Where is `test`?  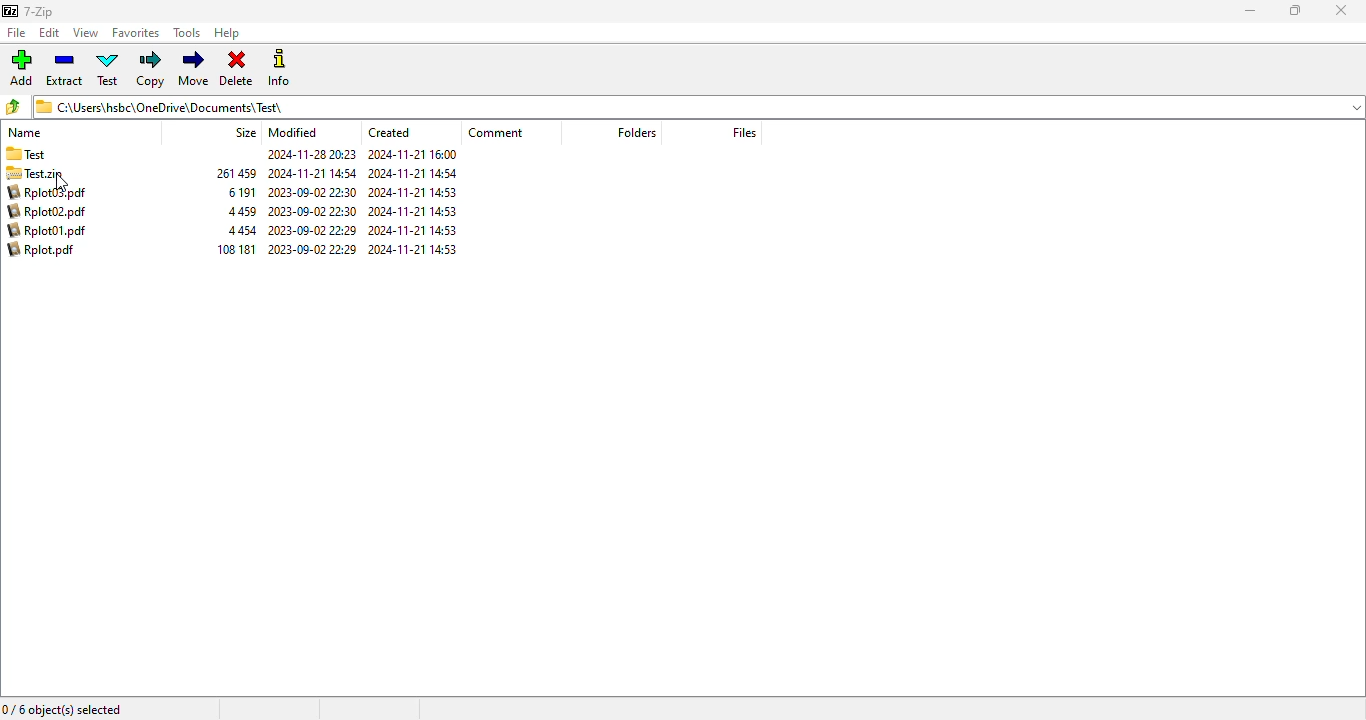
test is located at coordinates (108, 69).